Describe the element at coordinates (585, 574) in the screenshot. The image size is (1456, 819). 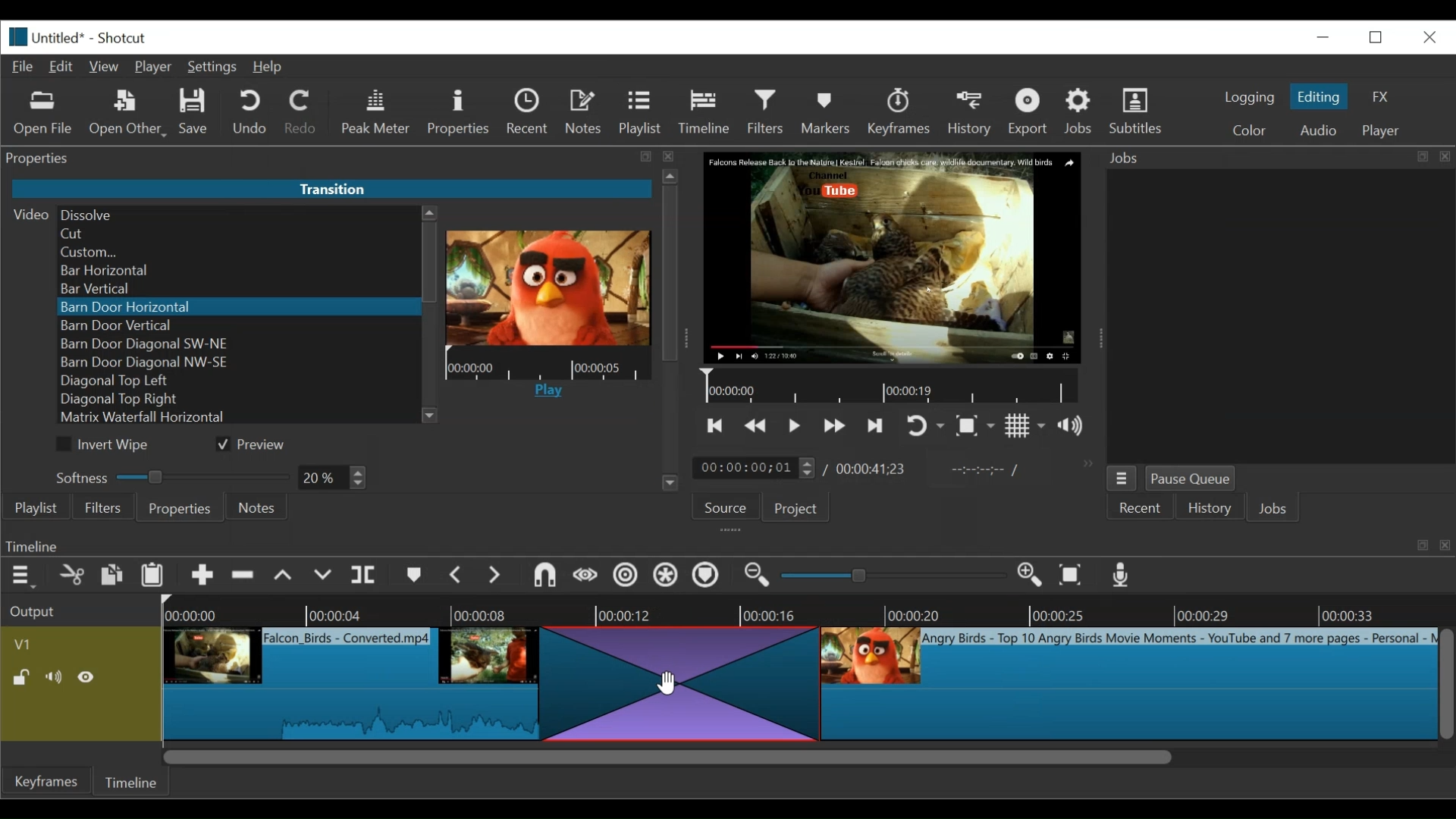
I see `Scrub while dragging` at that location.